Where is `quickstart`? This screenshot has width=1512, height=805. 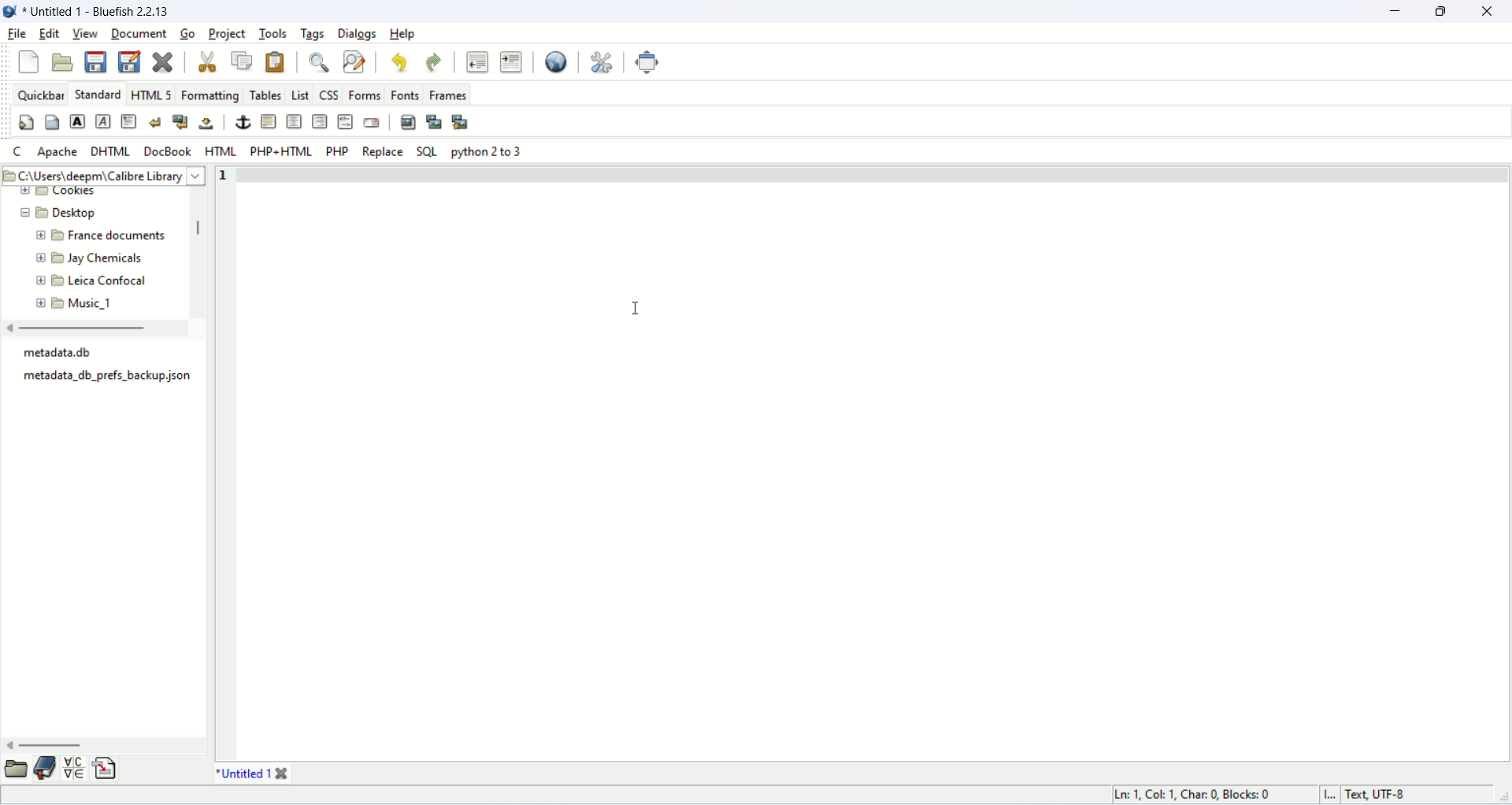 quickstart is located at coordinates (24, 123).